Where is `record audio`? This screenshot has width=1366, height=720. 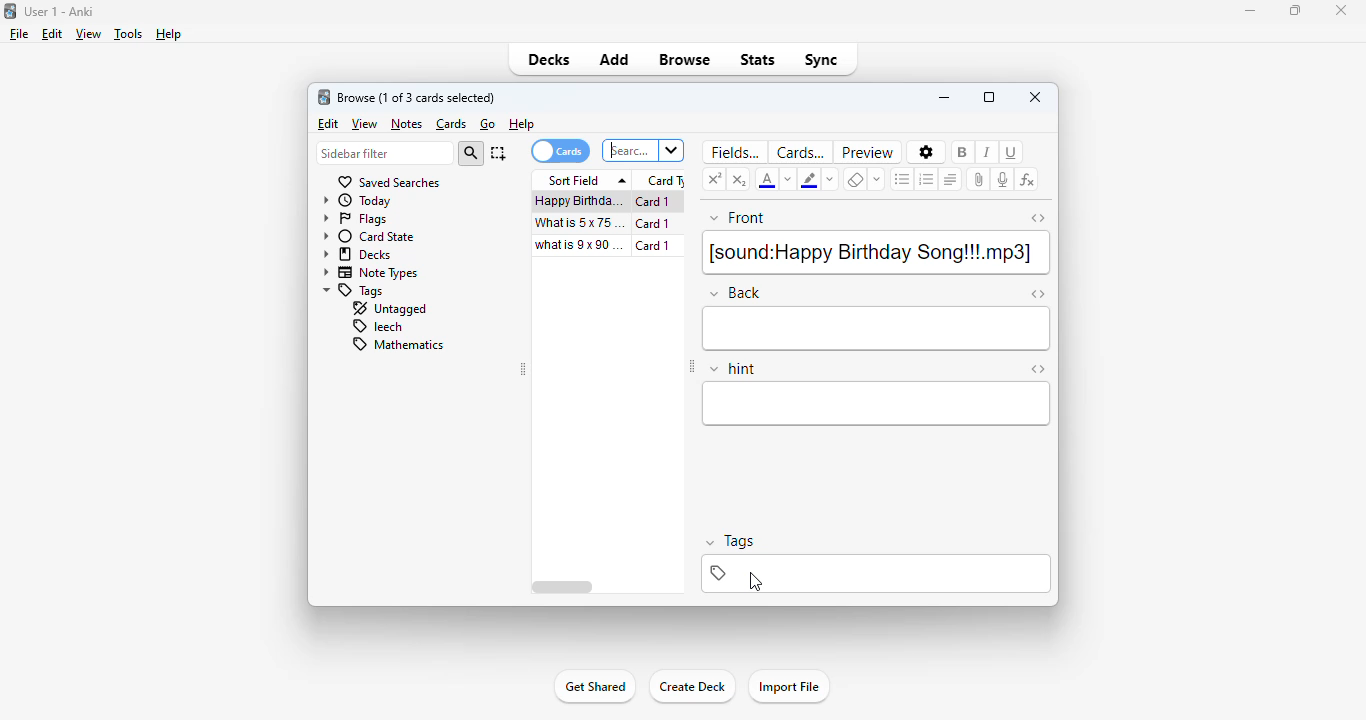
record audio is located at coordinates (1003, 179).